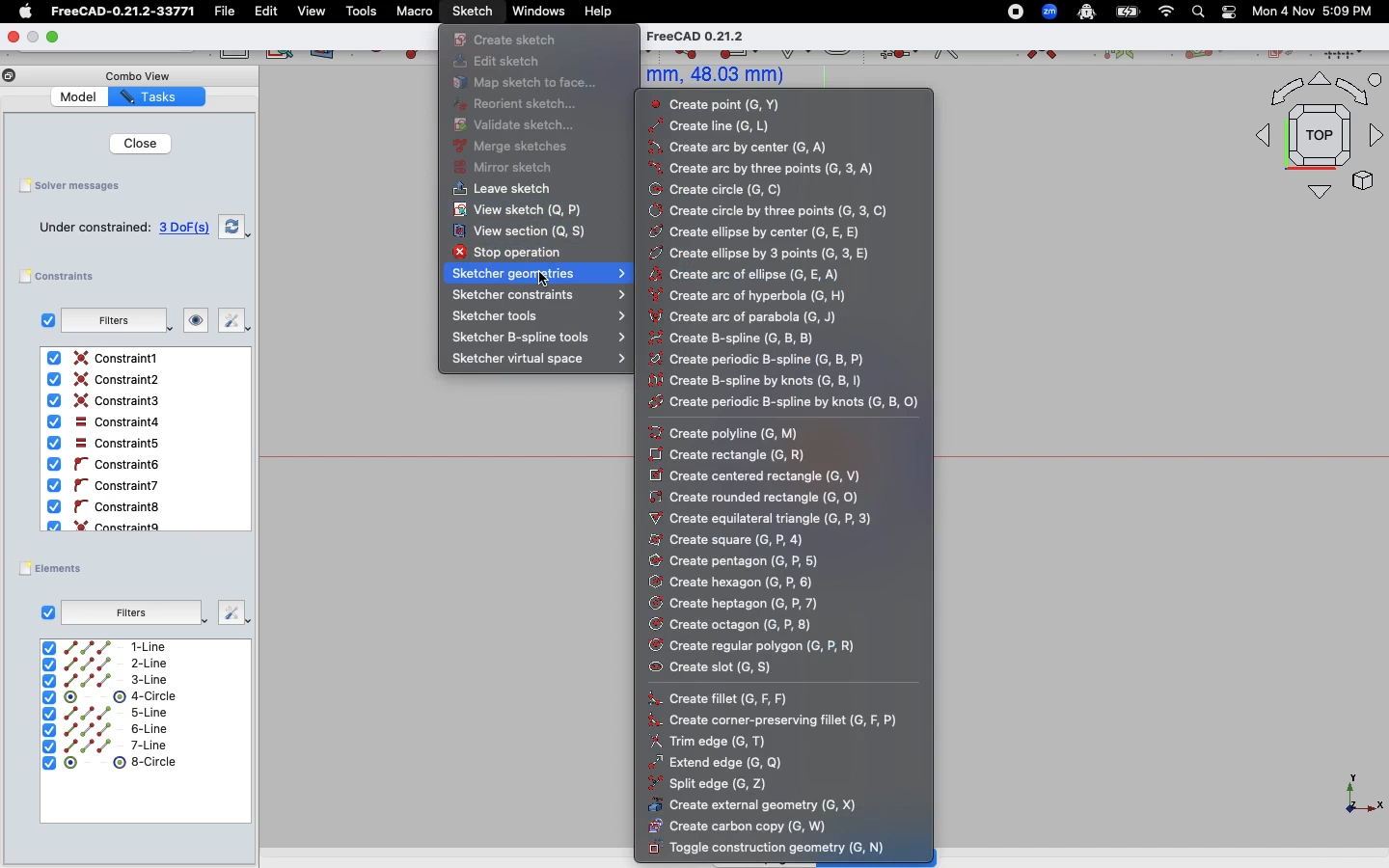  Describe the element at coordinates (741, 694) in the screenshot. I see `Create fillet (G, F, F)` at that location.